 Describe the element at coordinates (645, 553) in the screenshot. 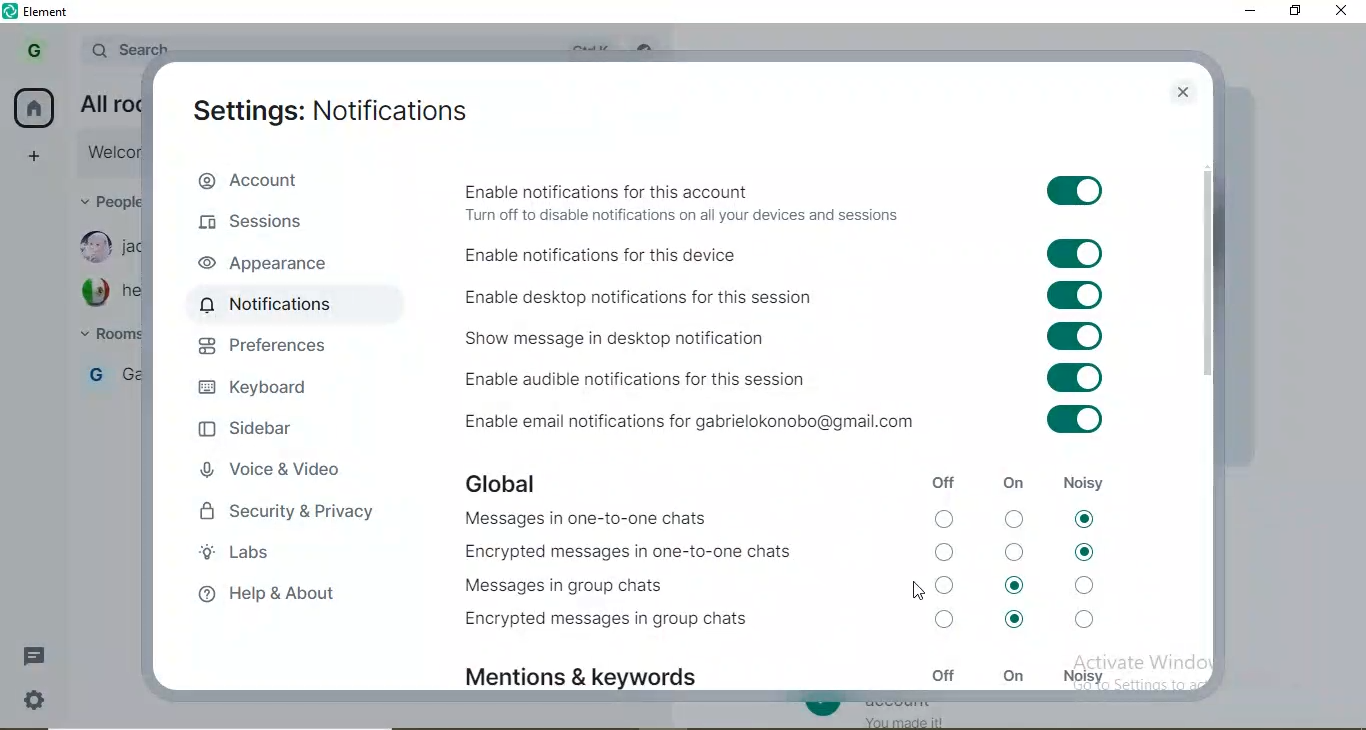

I see `encrypted messages in one to one chats` at that location.